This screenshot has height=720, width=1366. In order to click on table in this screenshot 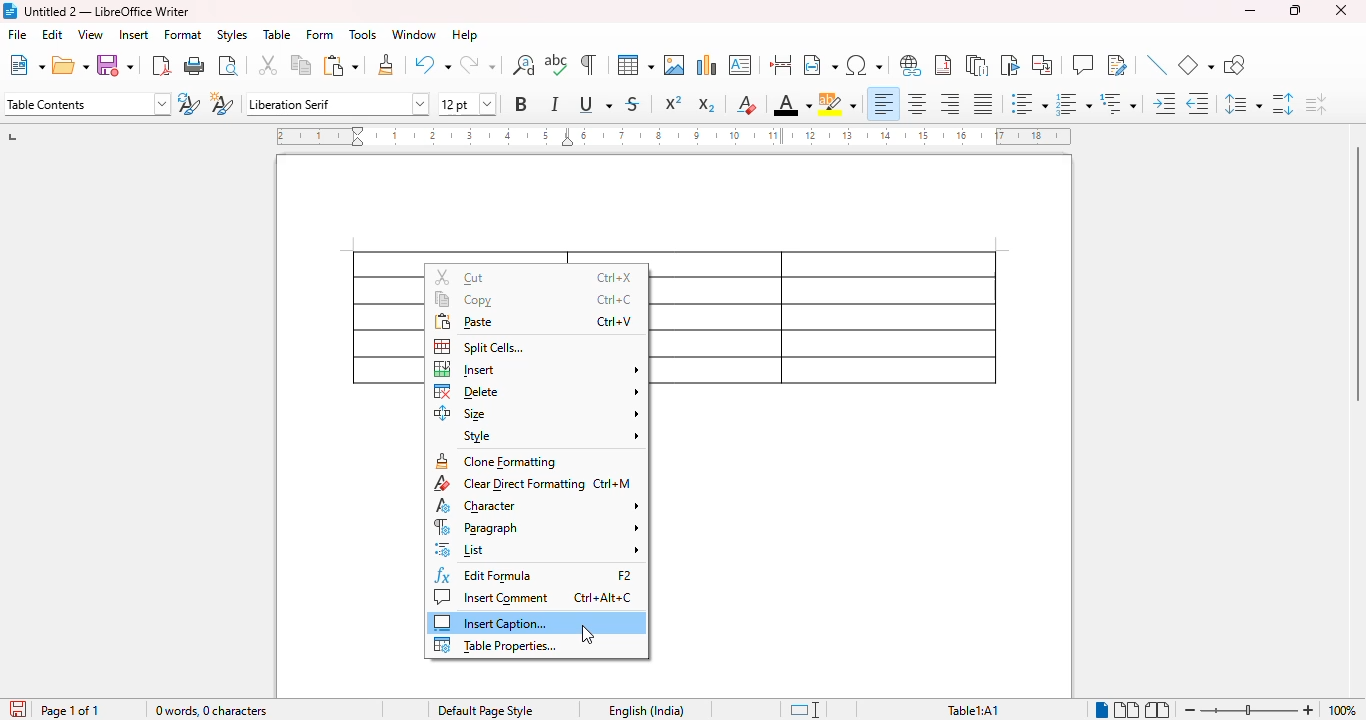, I will do `click(636, 65)`.